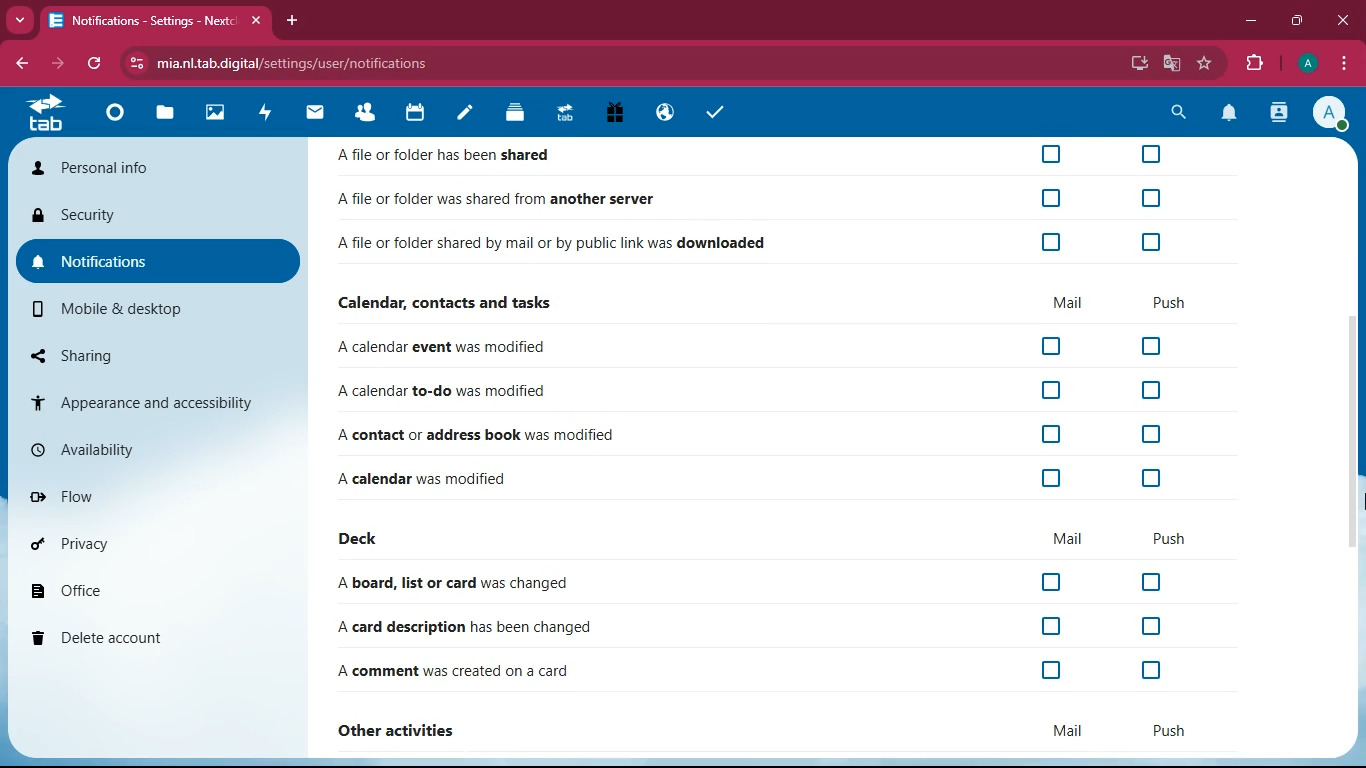 This screenshot has height=768, width=1366. Describe the element at coordinates (1170, 537) in the screenshot. I see `push` at that location.